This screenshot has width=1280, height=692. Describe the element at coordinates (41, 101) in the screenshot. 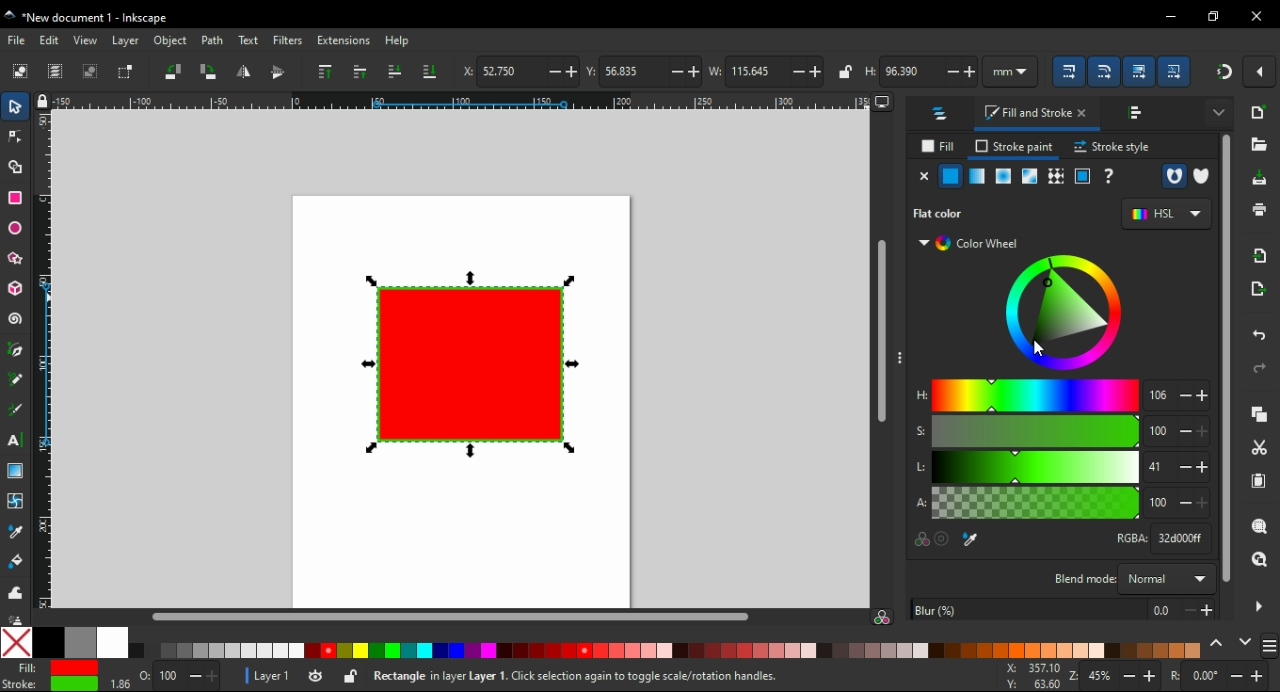

I see `lock` at that location.